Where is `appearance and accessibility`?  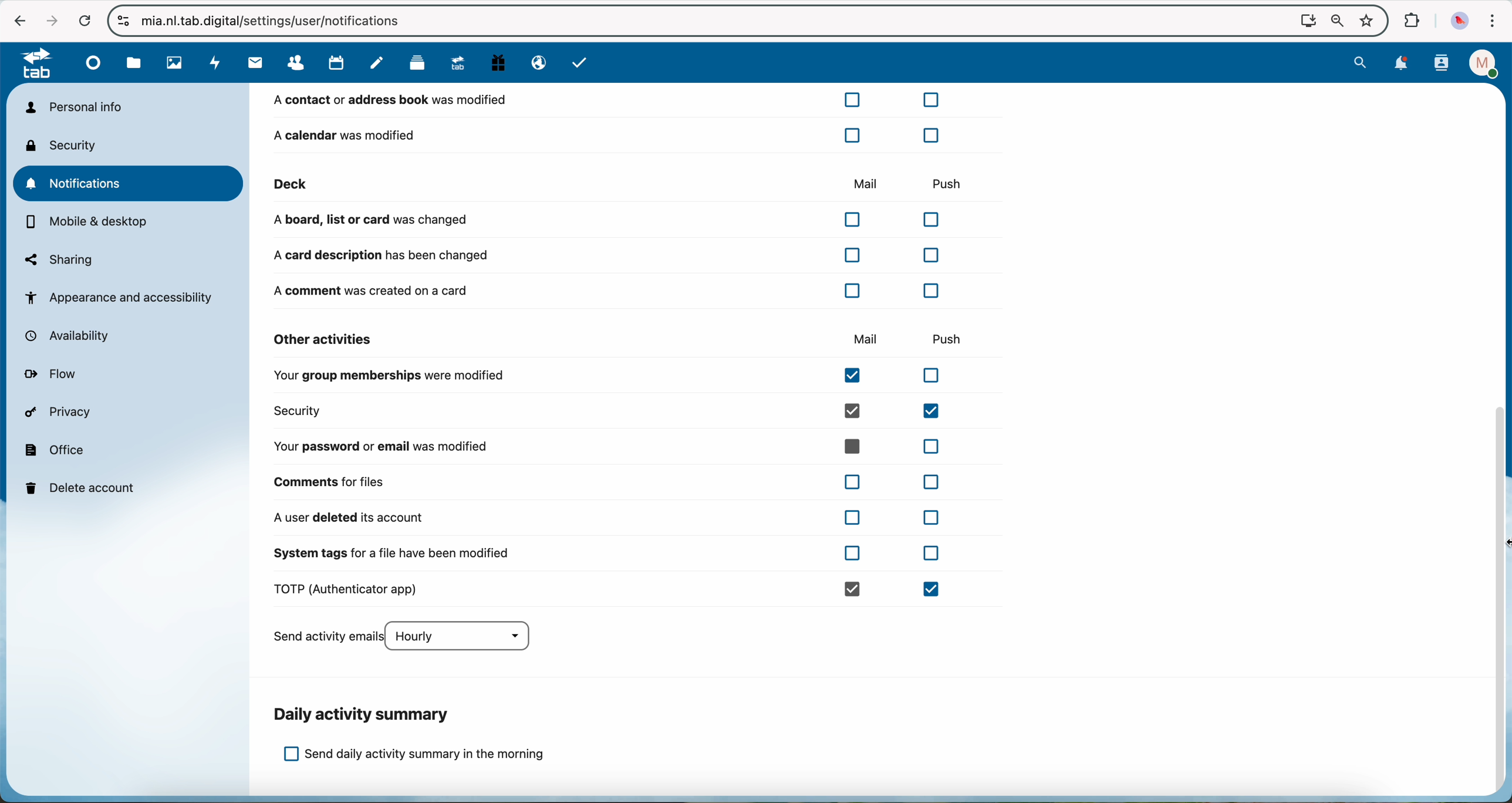 appearance and accessibility is located at coordinates (121, 297).